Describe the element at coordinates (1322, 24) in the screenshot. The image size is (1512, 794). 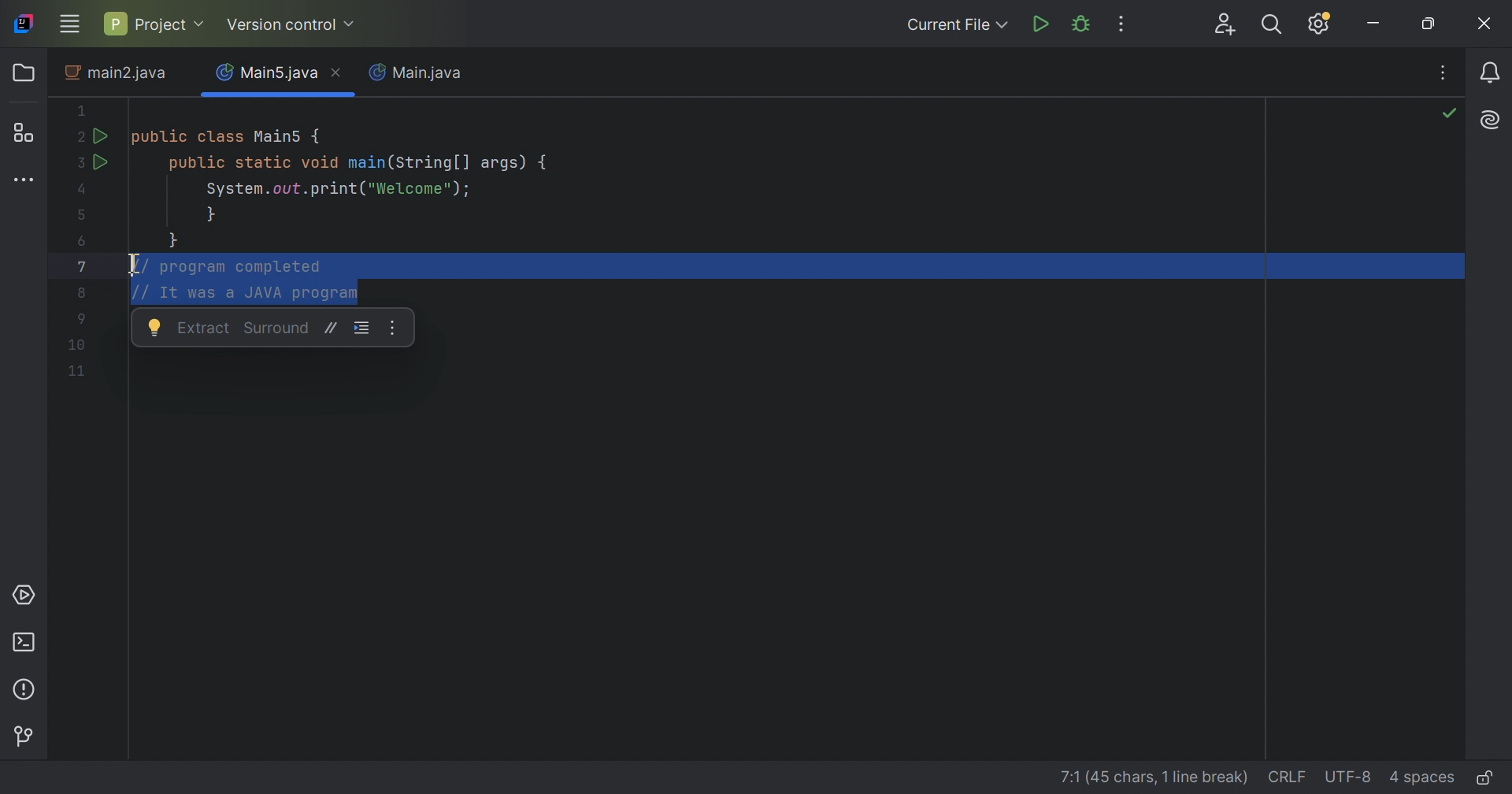
I see `Updates available. IDE and Project Settings.` at that location.